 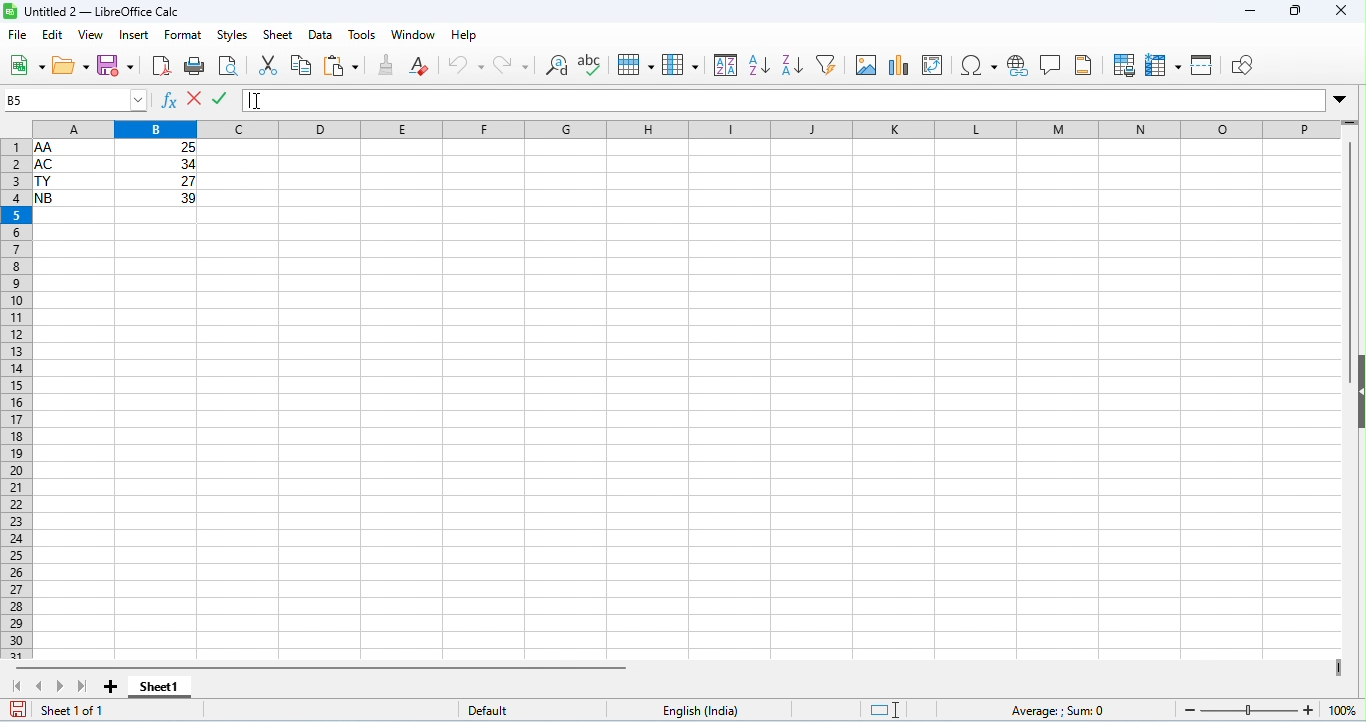 I want to click on default, so click(x=489, y=710).